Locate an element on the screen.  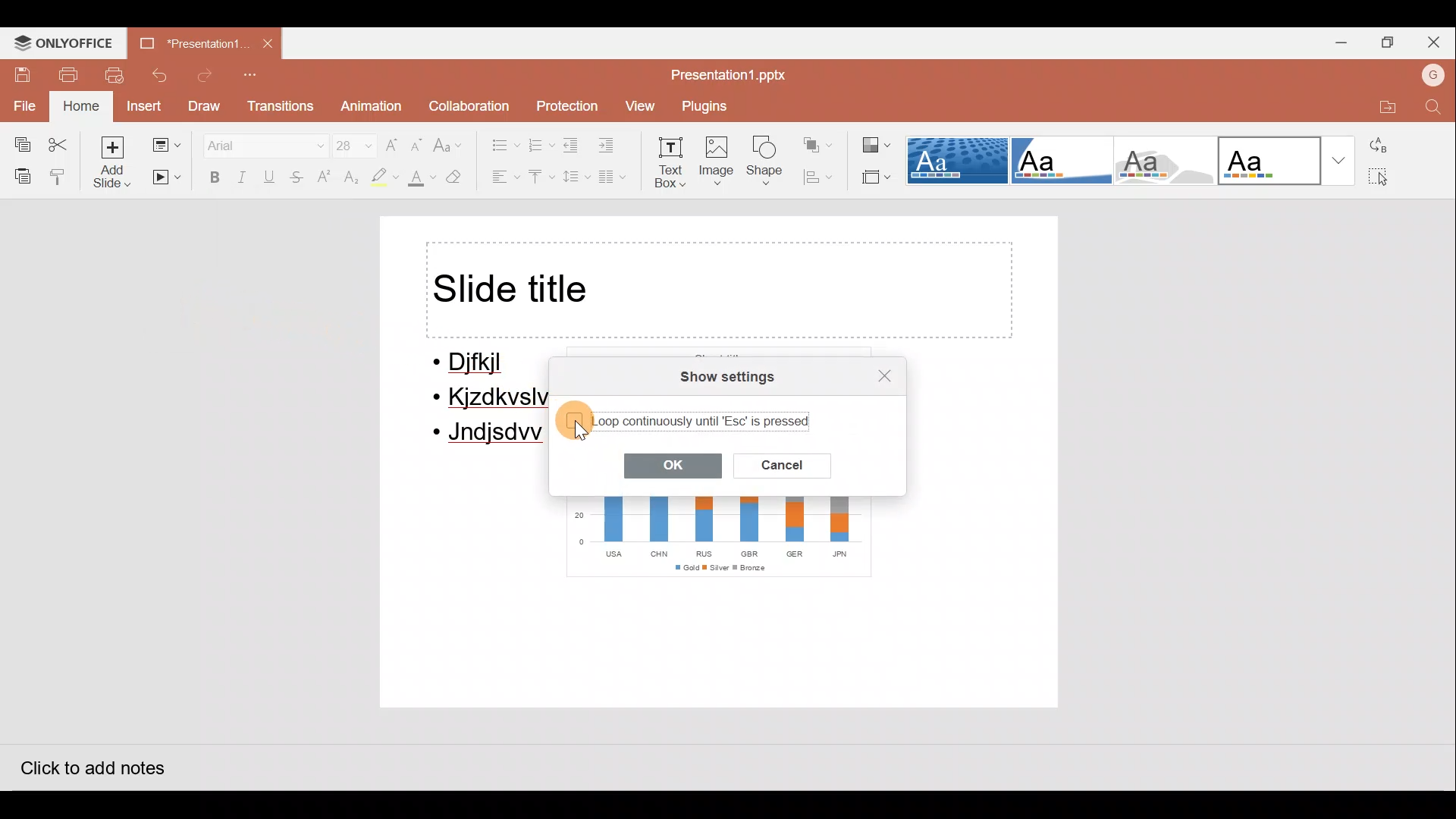
Start slideshow is located at coordinates (165, 180).